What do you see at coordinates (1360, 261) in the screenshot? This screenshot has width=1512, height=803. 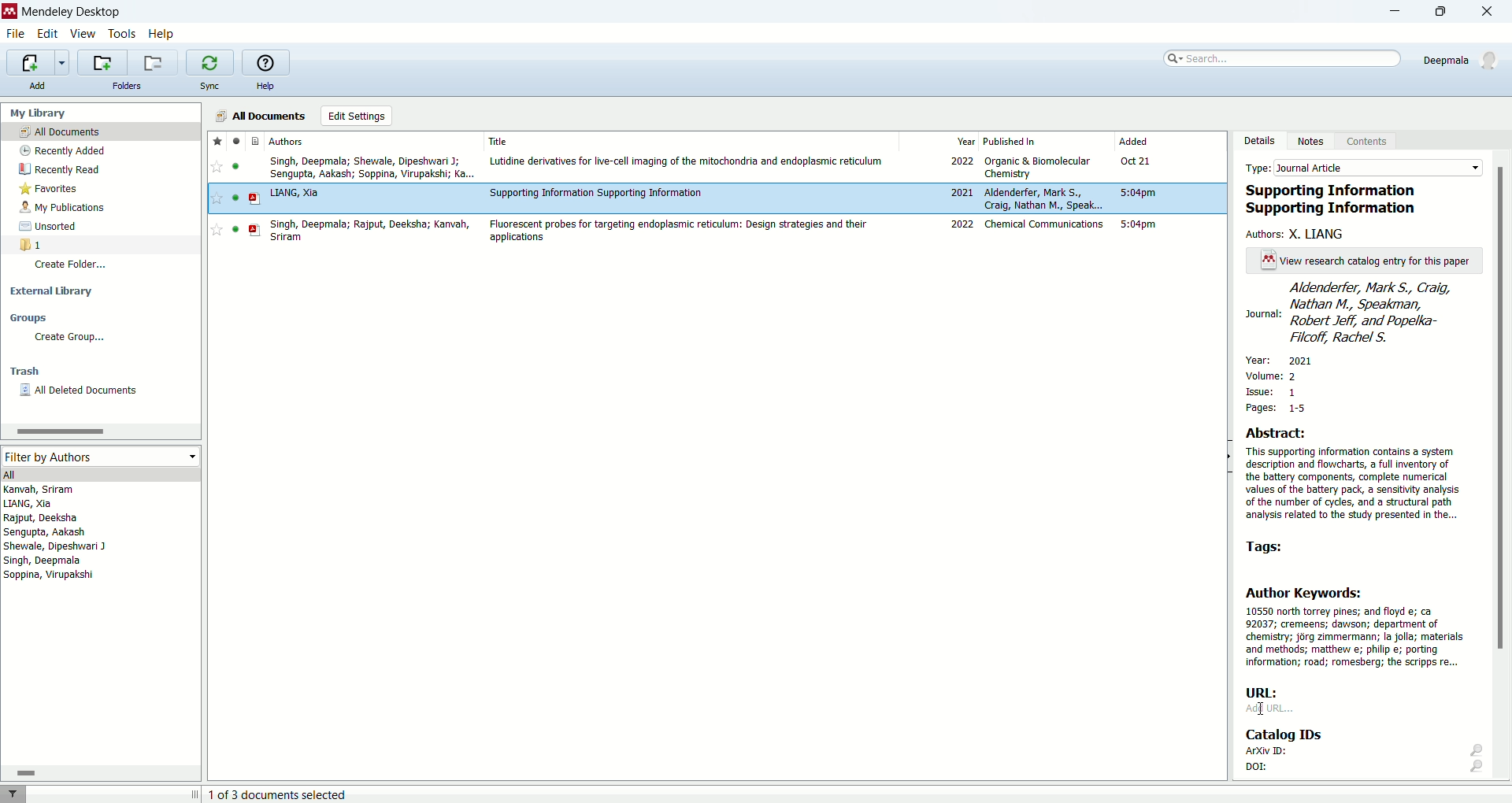 I see `view research catalog entry for this paper` at bounding box center [1360, 261].